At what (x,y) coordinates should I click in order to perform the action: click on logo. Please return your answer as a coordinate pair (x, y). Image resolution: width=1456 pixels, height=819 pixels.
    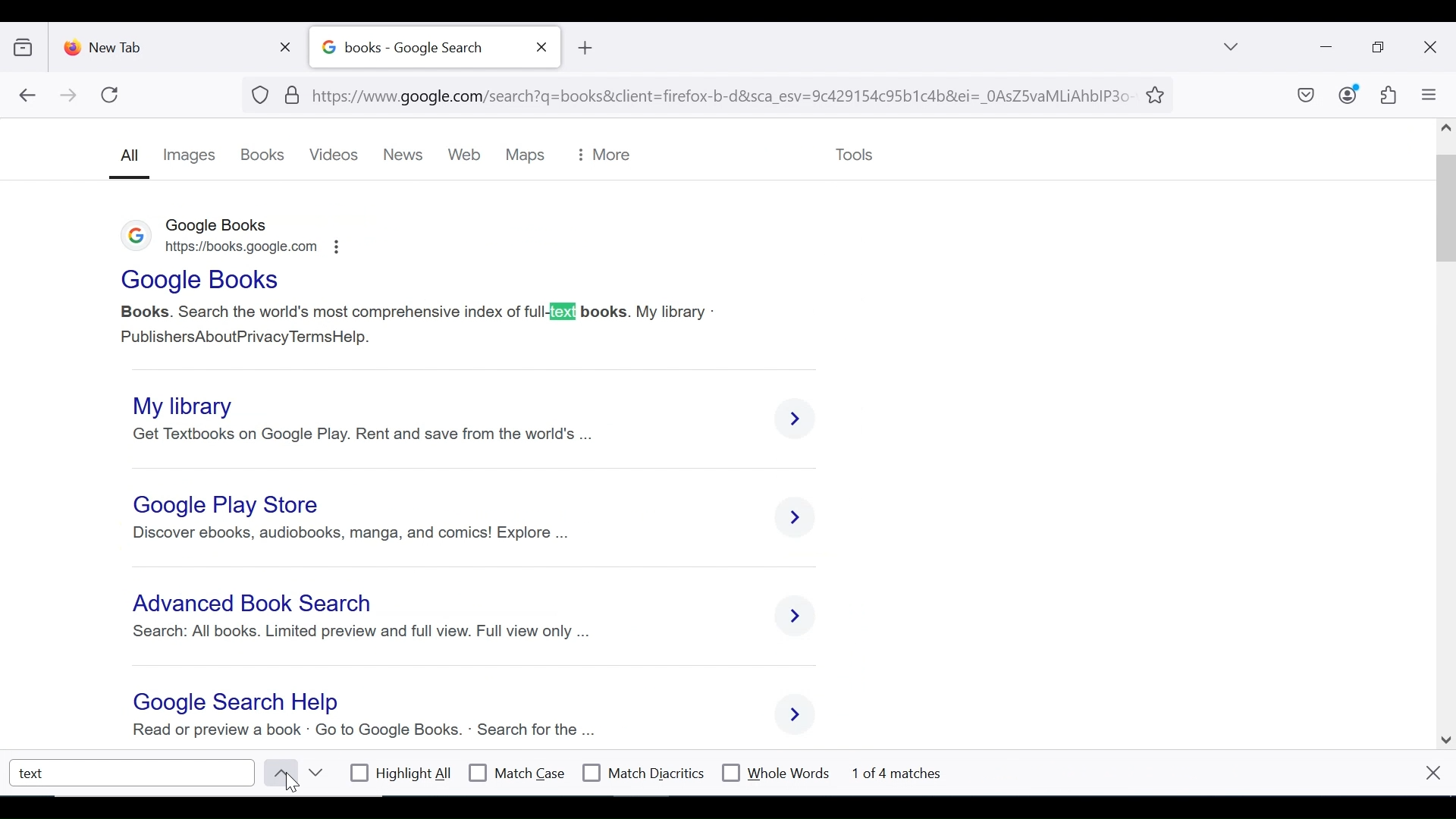
    Looking at the image, I should click on (130, 238).